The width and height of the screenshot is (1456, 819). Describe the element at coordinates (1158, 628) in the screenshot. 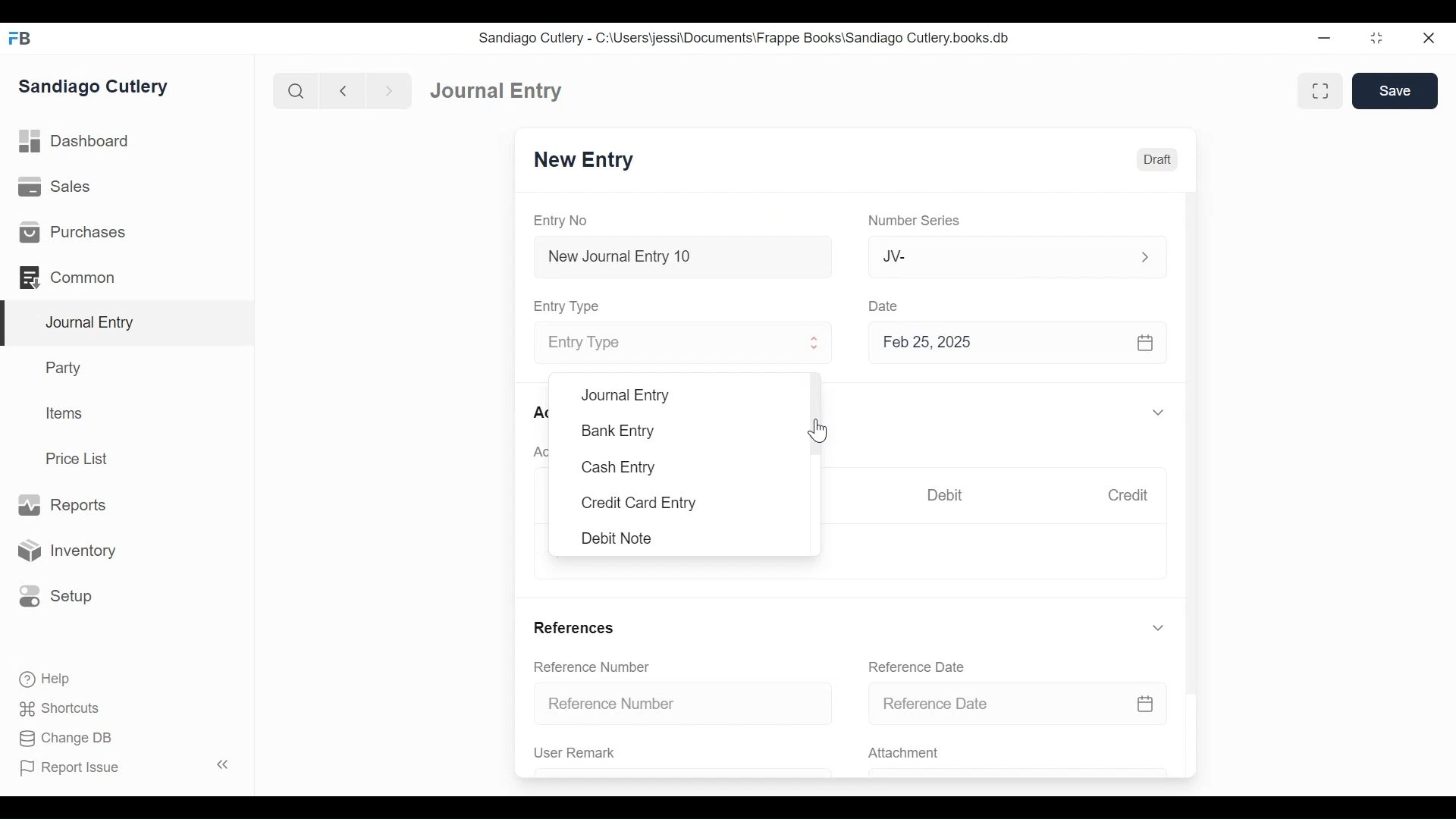

I see `Expand` at that location.